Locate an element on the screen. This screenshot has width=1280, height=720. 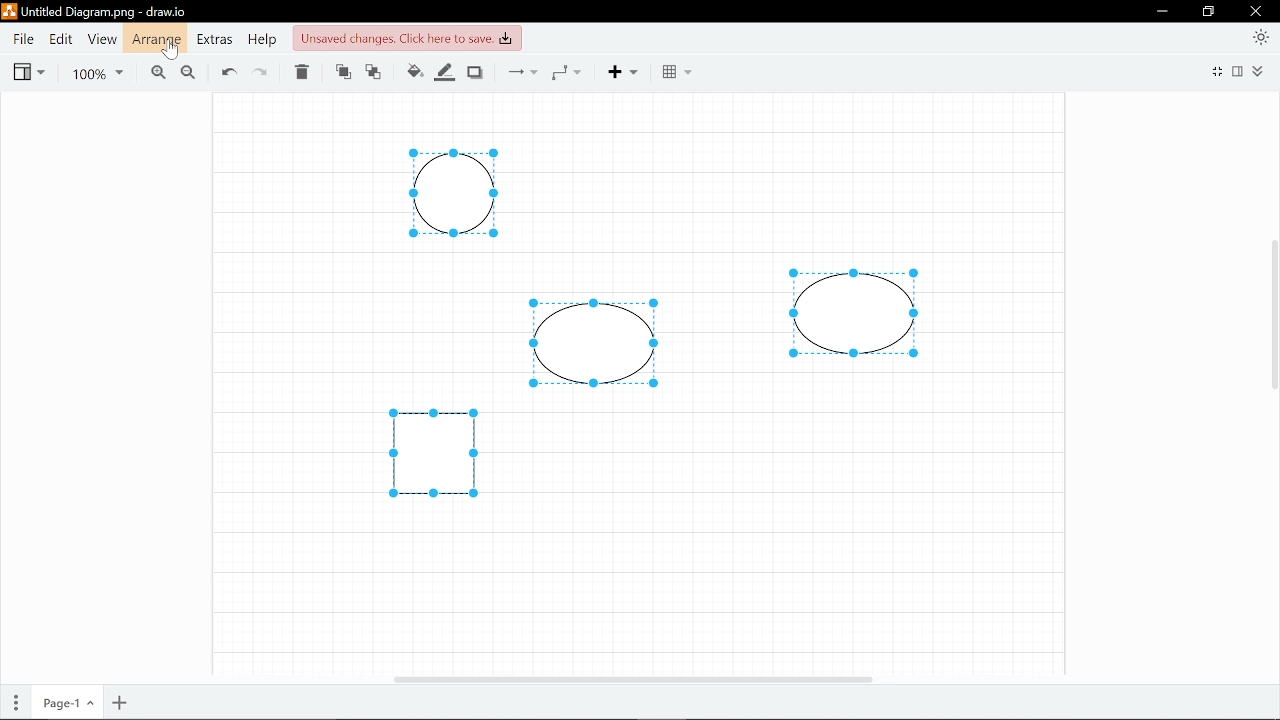
Delete is located at coordinates (304, 73).